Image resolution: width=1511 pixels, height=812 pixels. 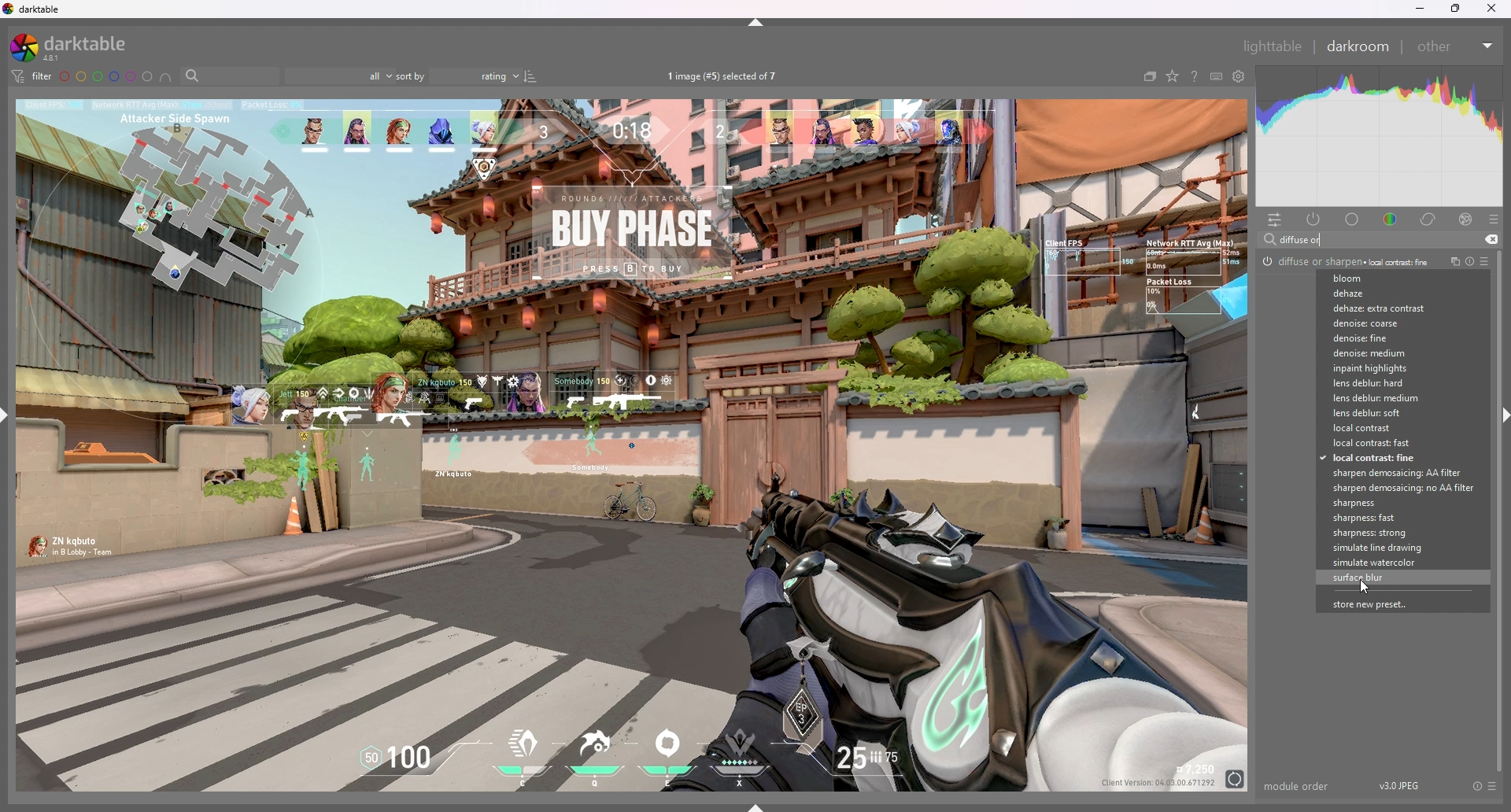 What do you see at coordinates (338, 77) in the screenshot?
I see `filter by rating` at bounding box center [338, 77].